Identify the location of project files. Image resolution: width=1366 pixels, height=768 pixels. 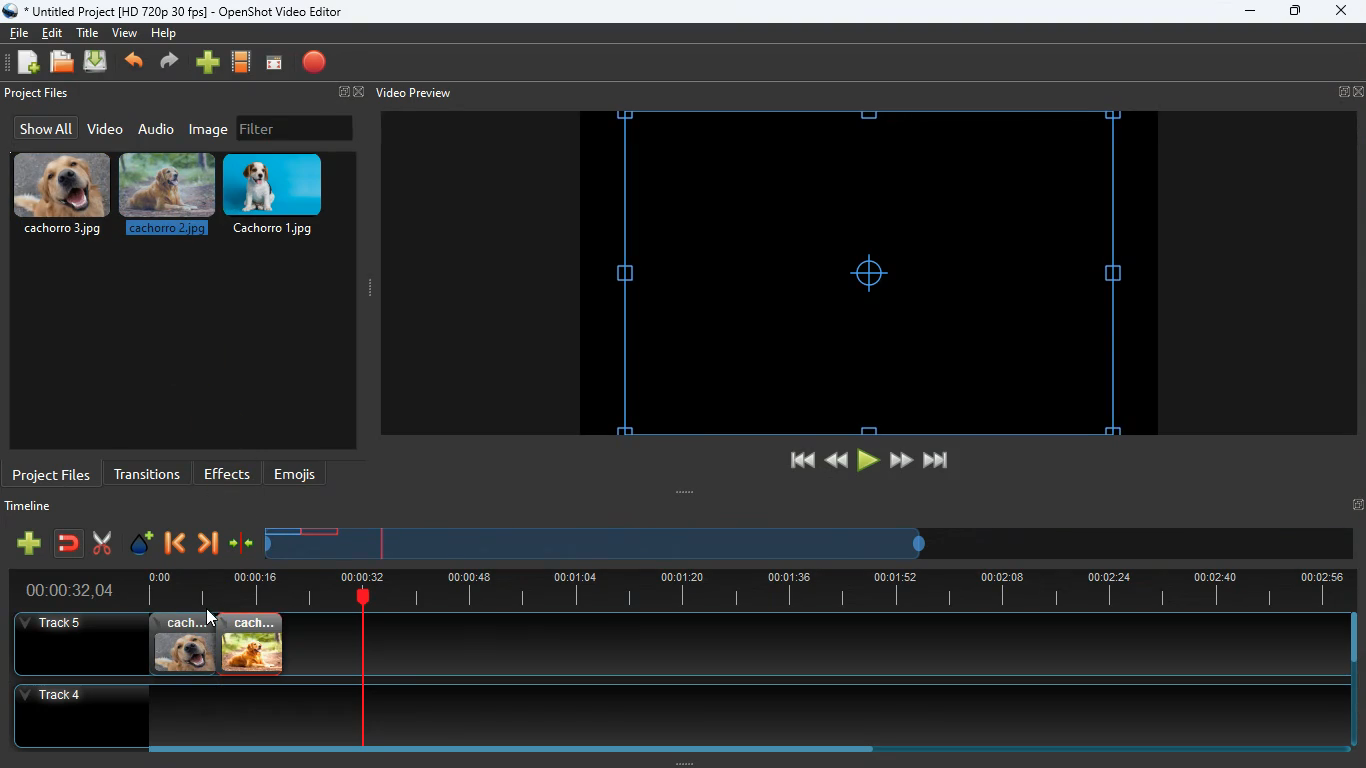
(52, 473).